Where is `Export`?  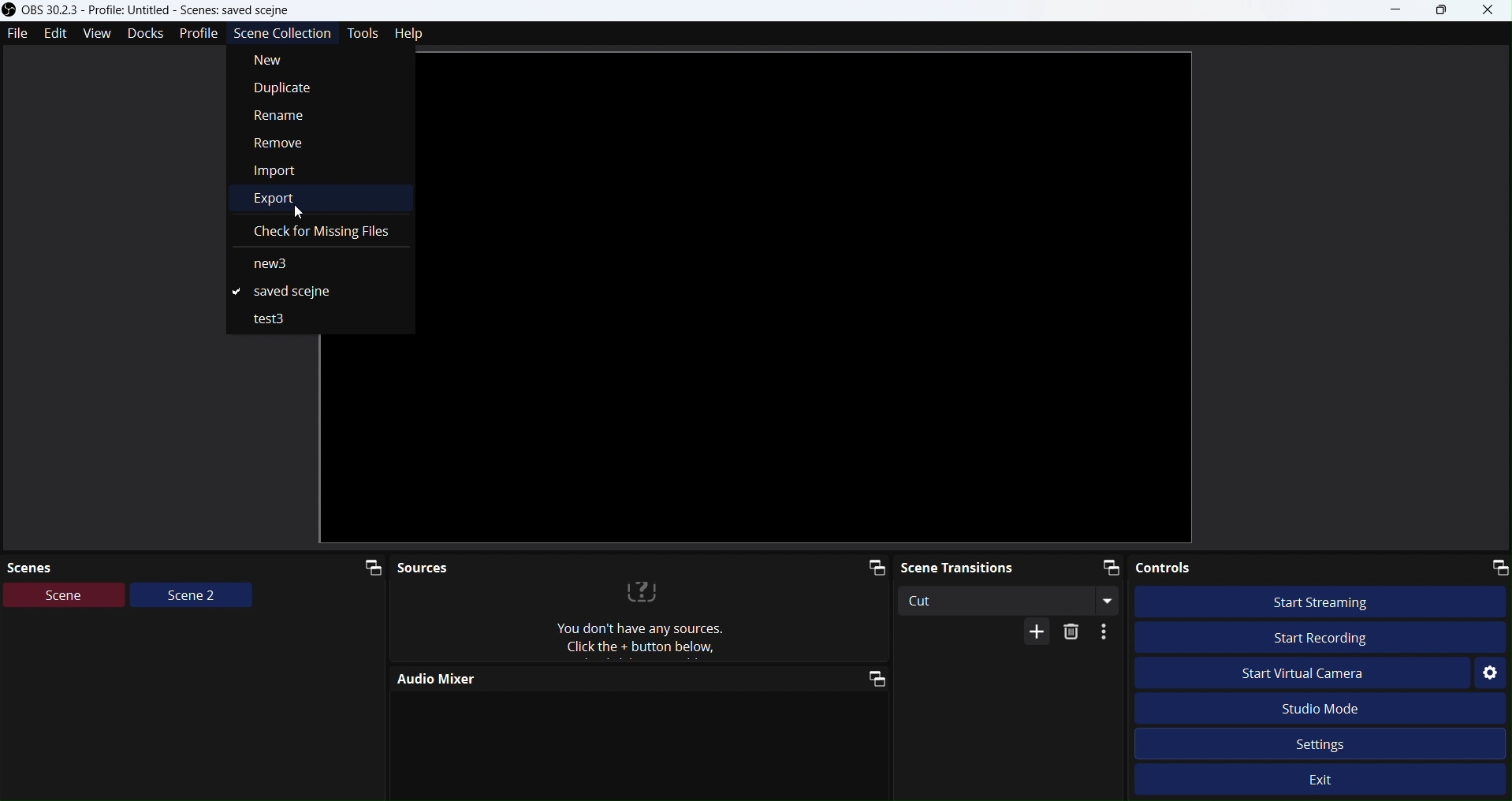
Export is located at coordinates (296, 199).